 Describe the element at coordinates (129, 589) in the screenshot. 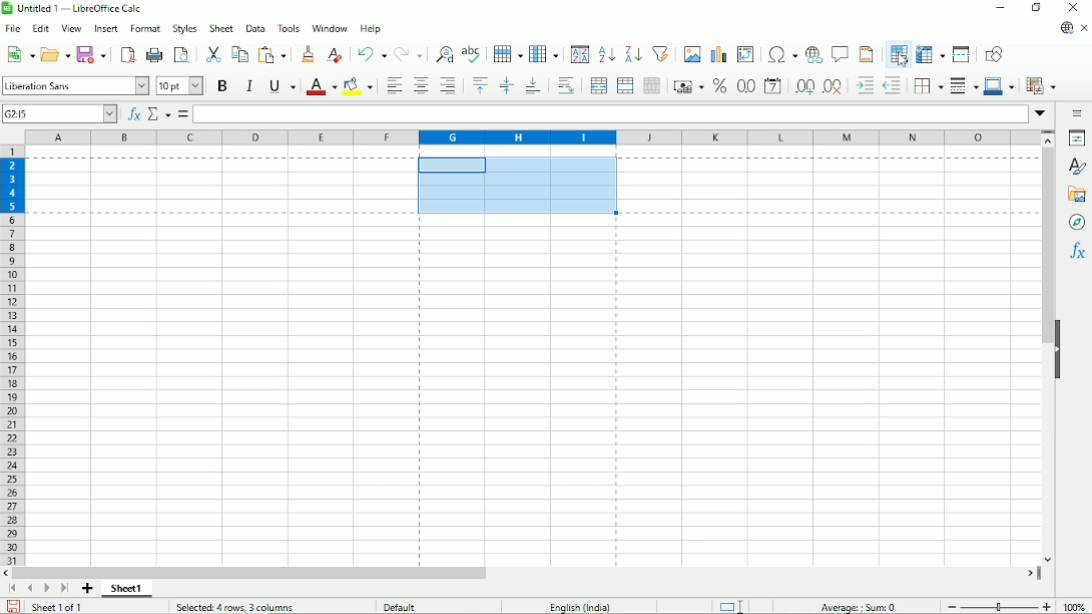

I see `Sheet 1` at that location.